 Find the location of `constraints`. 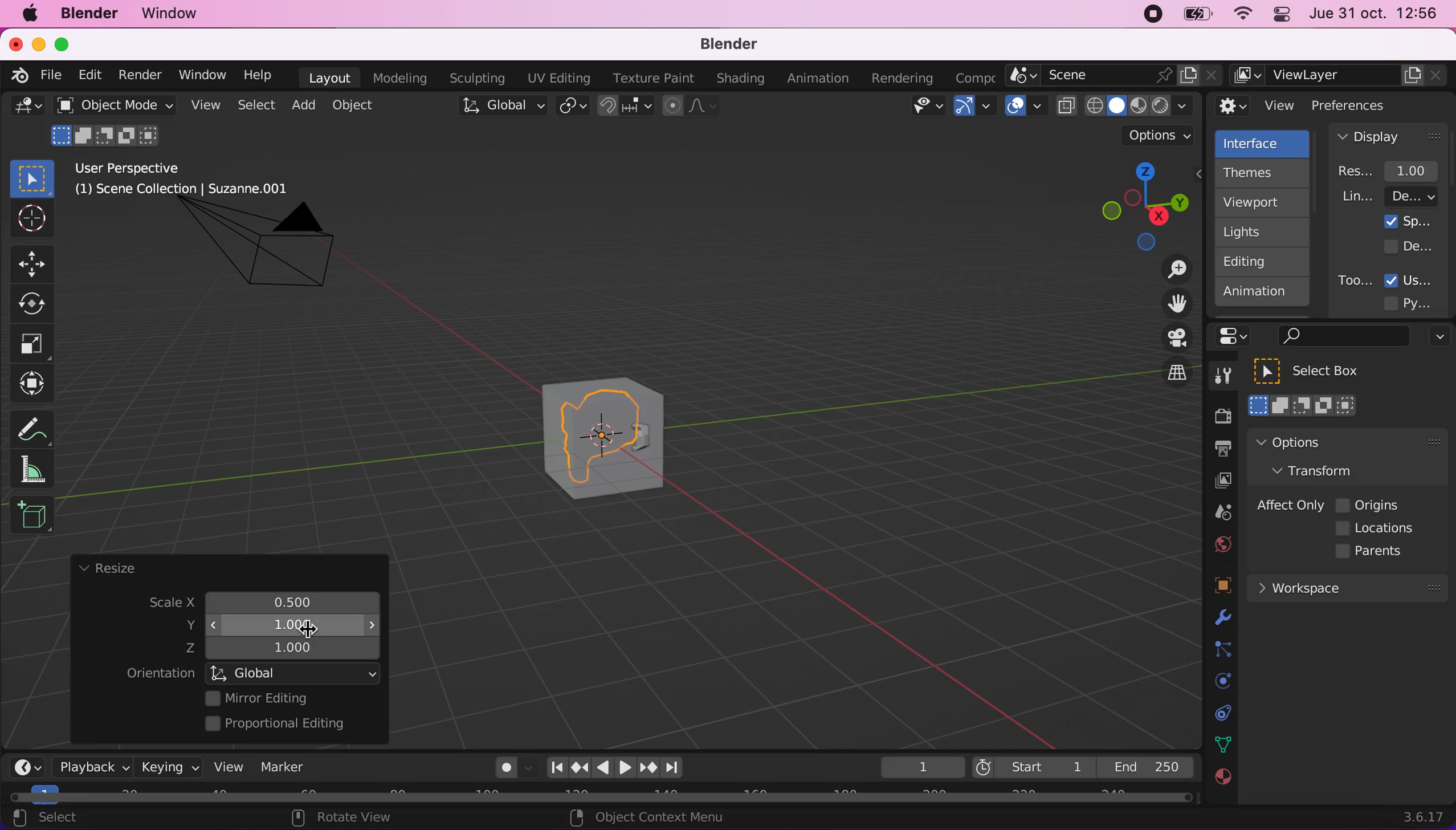

constraints is located at coordinates (1221, 650).